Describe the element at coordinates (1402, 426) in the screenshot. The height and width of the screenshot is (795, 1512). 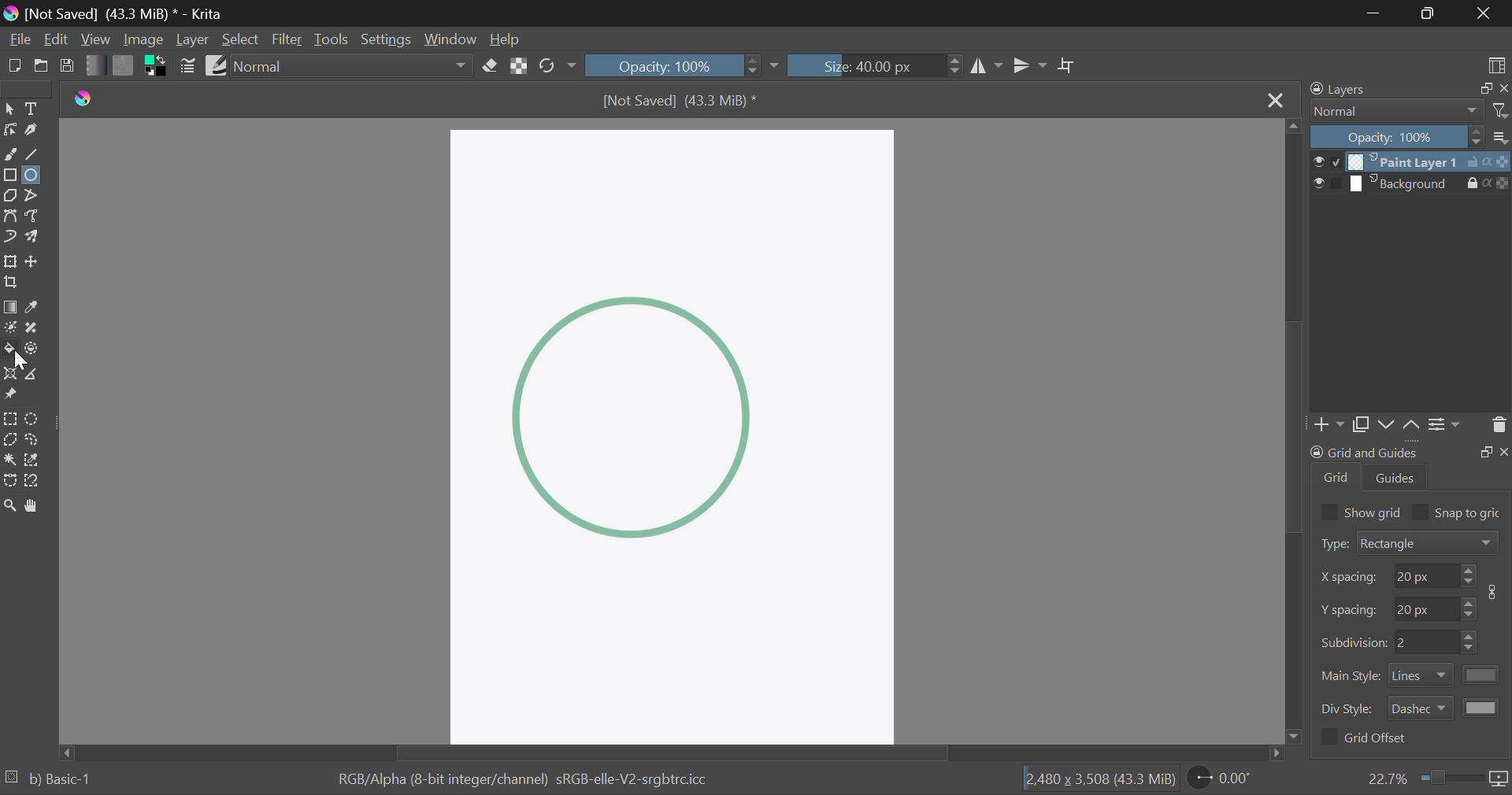
I see `Movement of Layers` at that location.